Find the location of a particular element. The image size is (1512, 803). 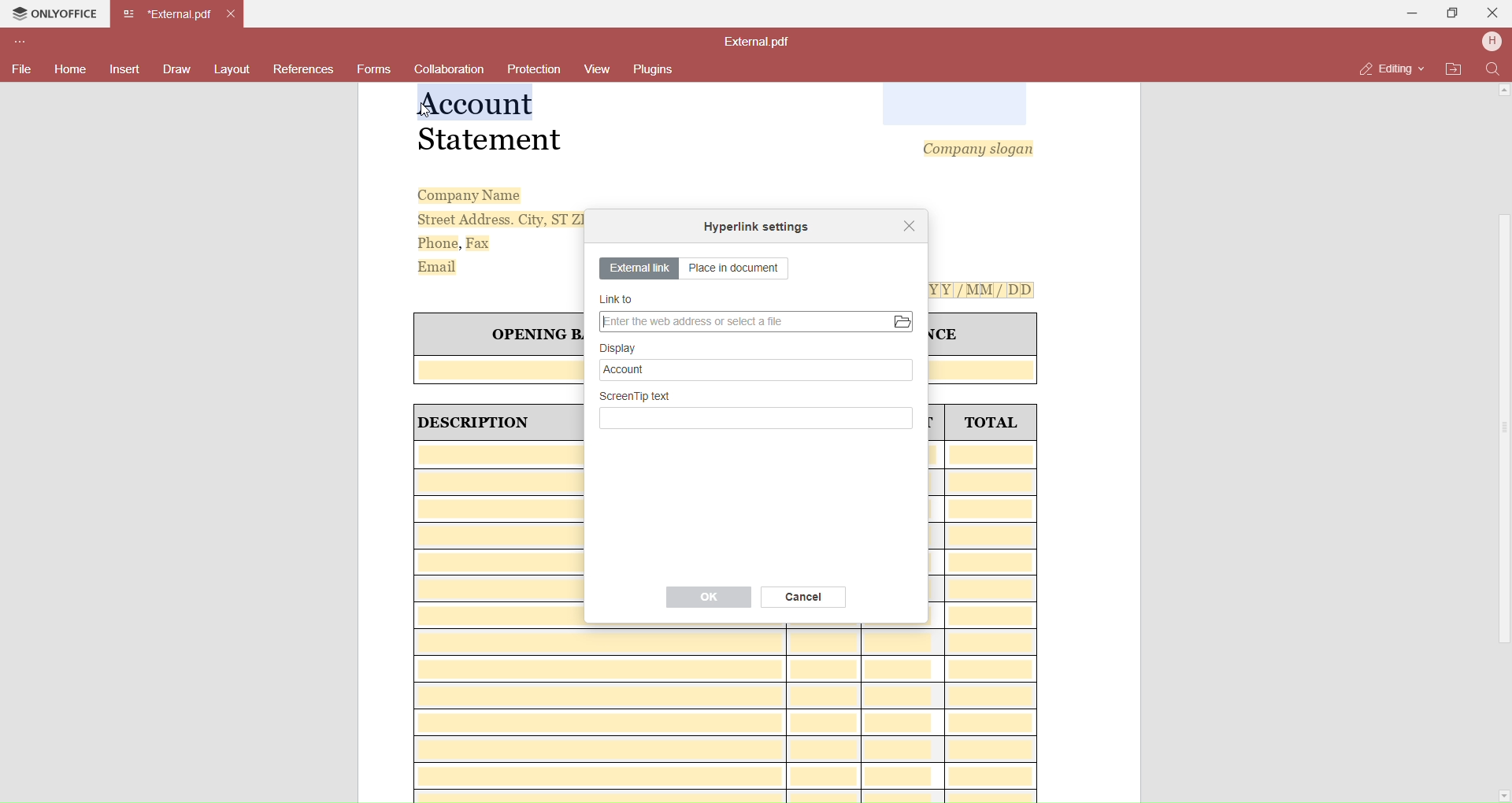

Customize Toolbar is located at coordinates (27, 42).